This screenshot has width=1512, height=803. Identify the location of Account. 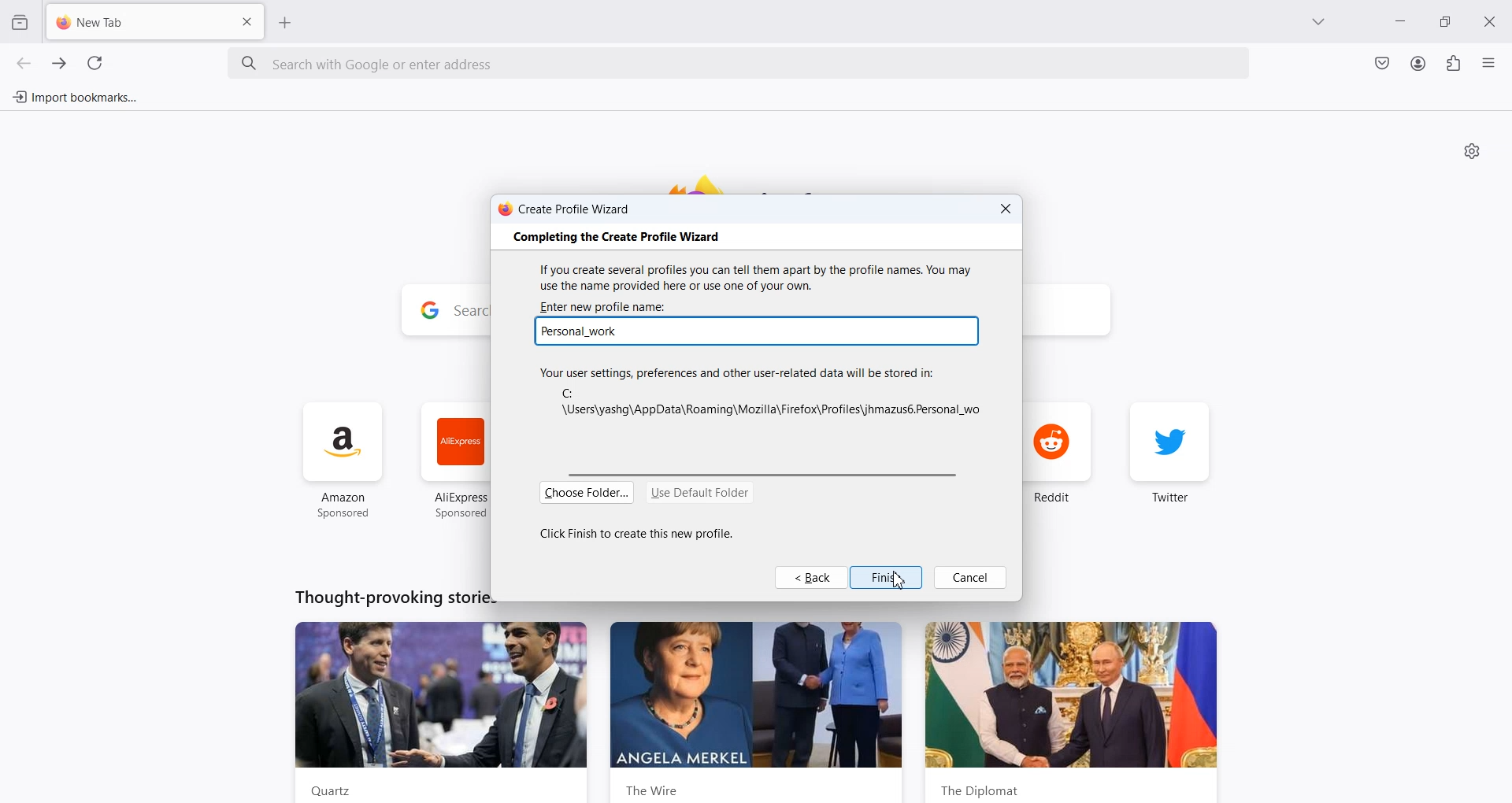
(1418, 63).